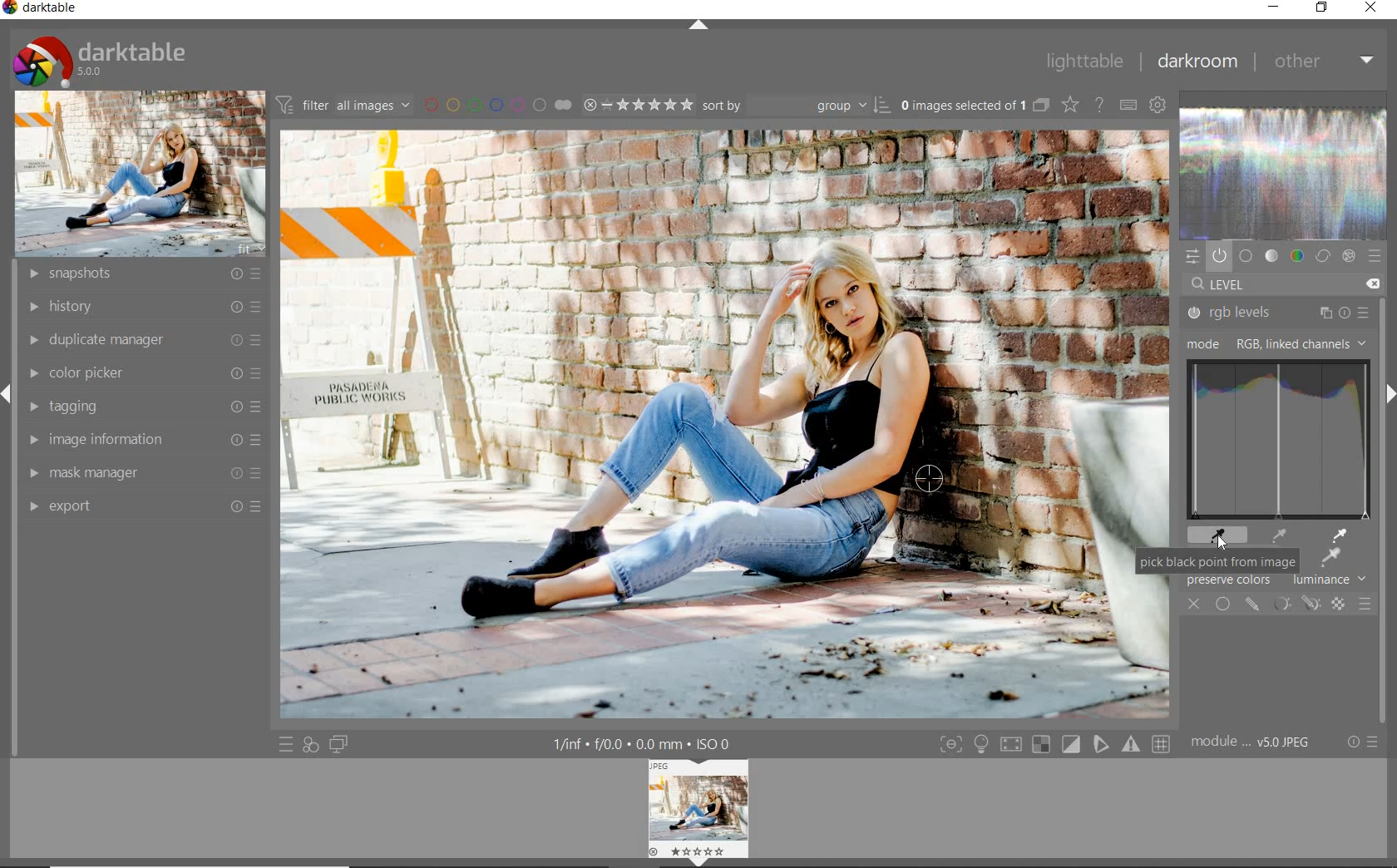 The image size is (1397, 868). What do you see at coordinates (1247, 254) in the screenshot?
I see `base` at bounding box center [1247, 254].